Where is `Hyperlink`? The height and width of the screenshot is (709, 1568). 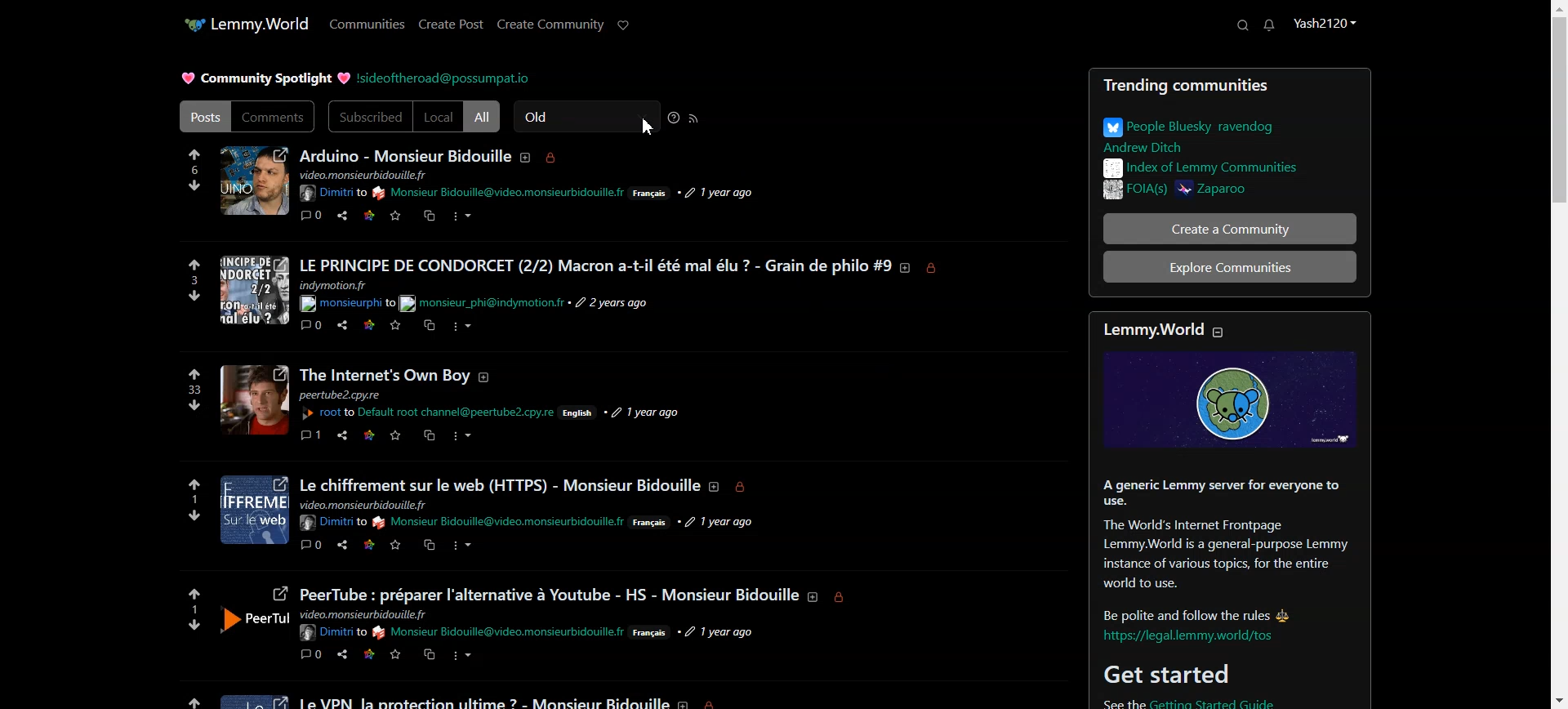 Hyperlink is located at coordinates (483, 301).